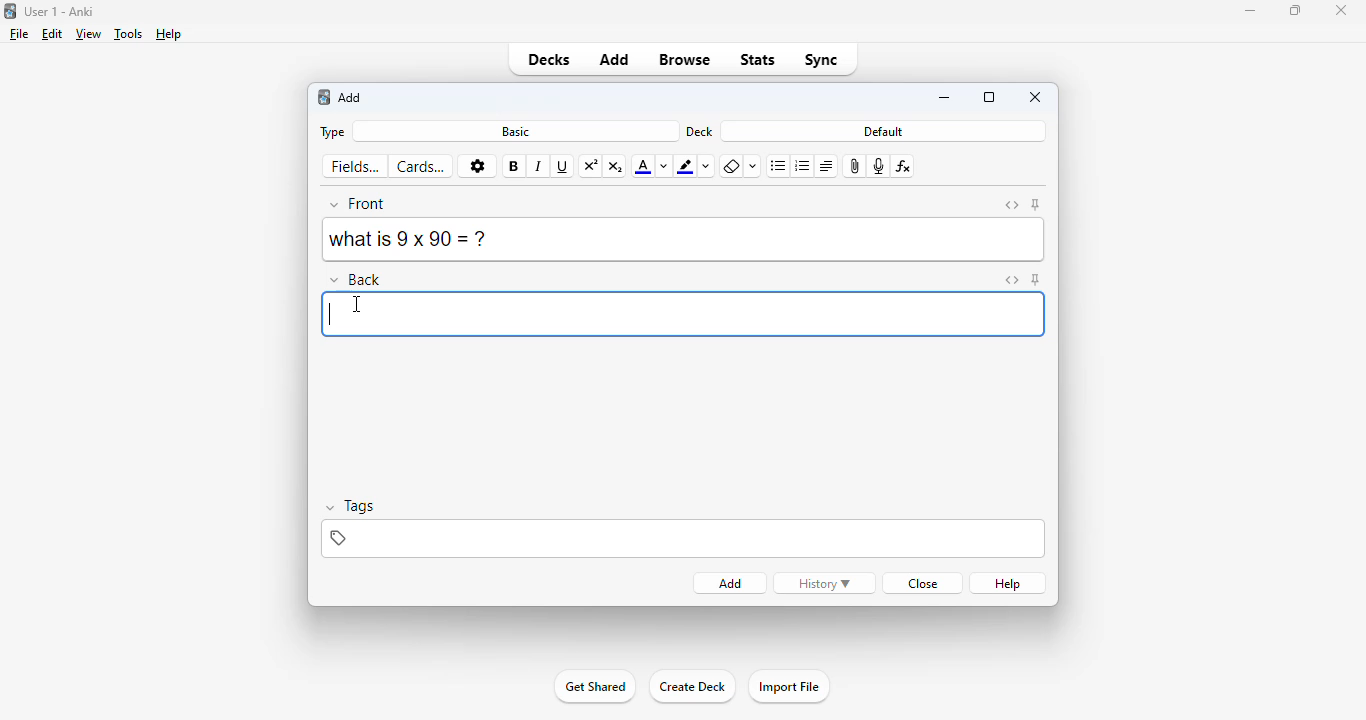 The width and height of the screenshot is (1366, 720). What do you see at coordinates (692, 687) in the screenshot?
I see `create deck` at bounding box center [692, 687].